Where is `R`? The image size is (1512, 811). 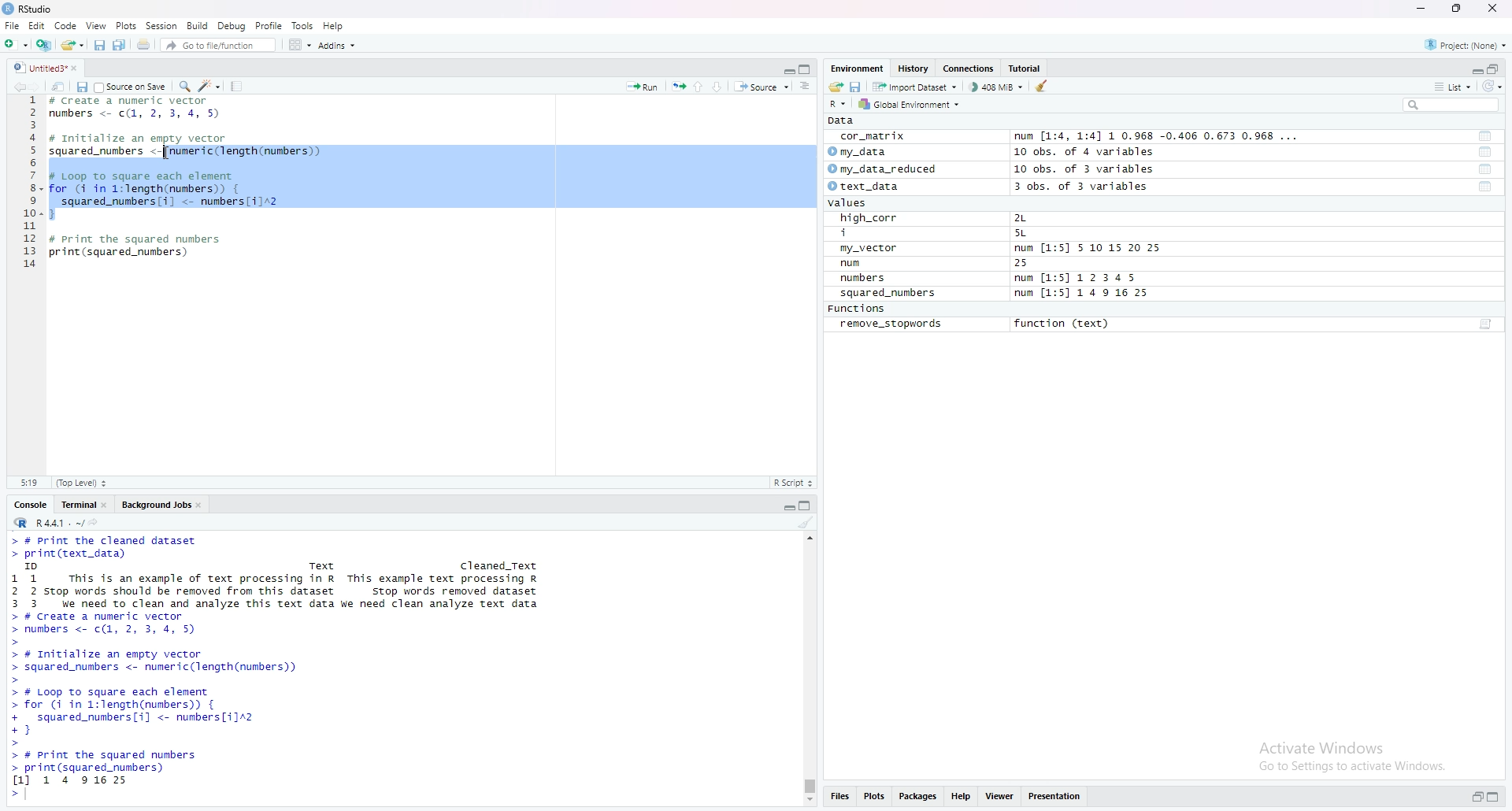
R is located at coordinates (839, 103).